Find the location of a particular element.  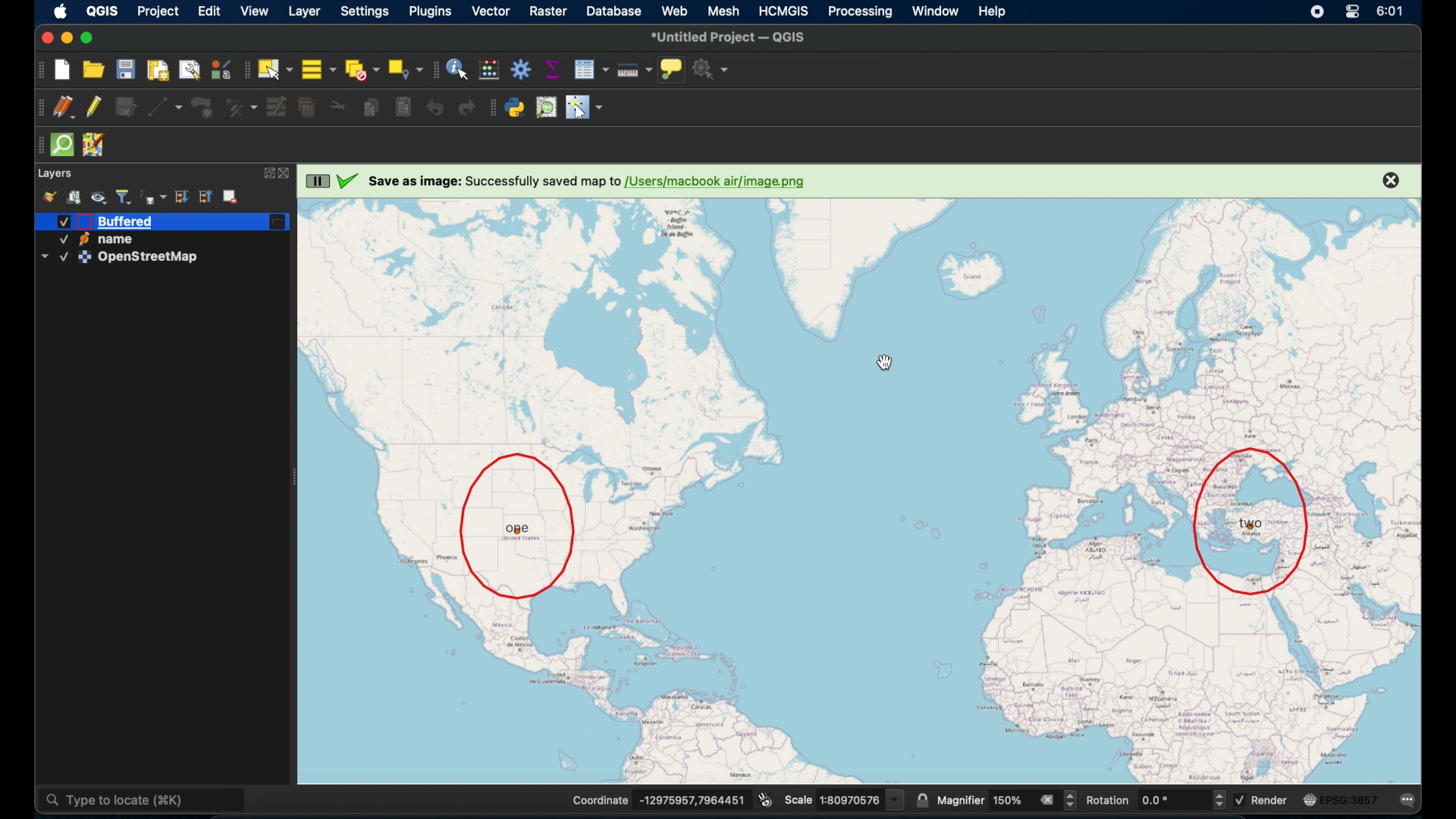

quicksom is located at coordinates (62, 146).